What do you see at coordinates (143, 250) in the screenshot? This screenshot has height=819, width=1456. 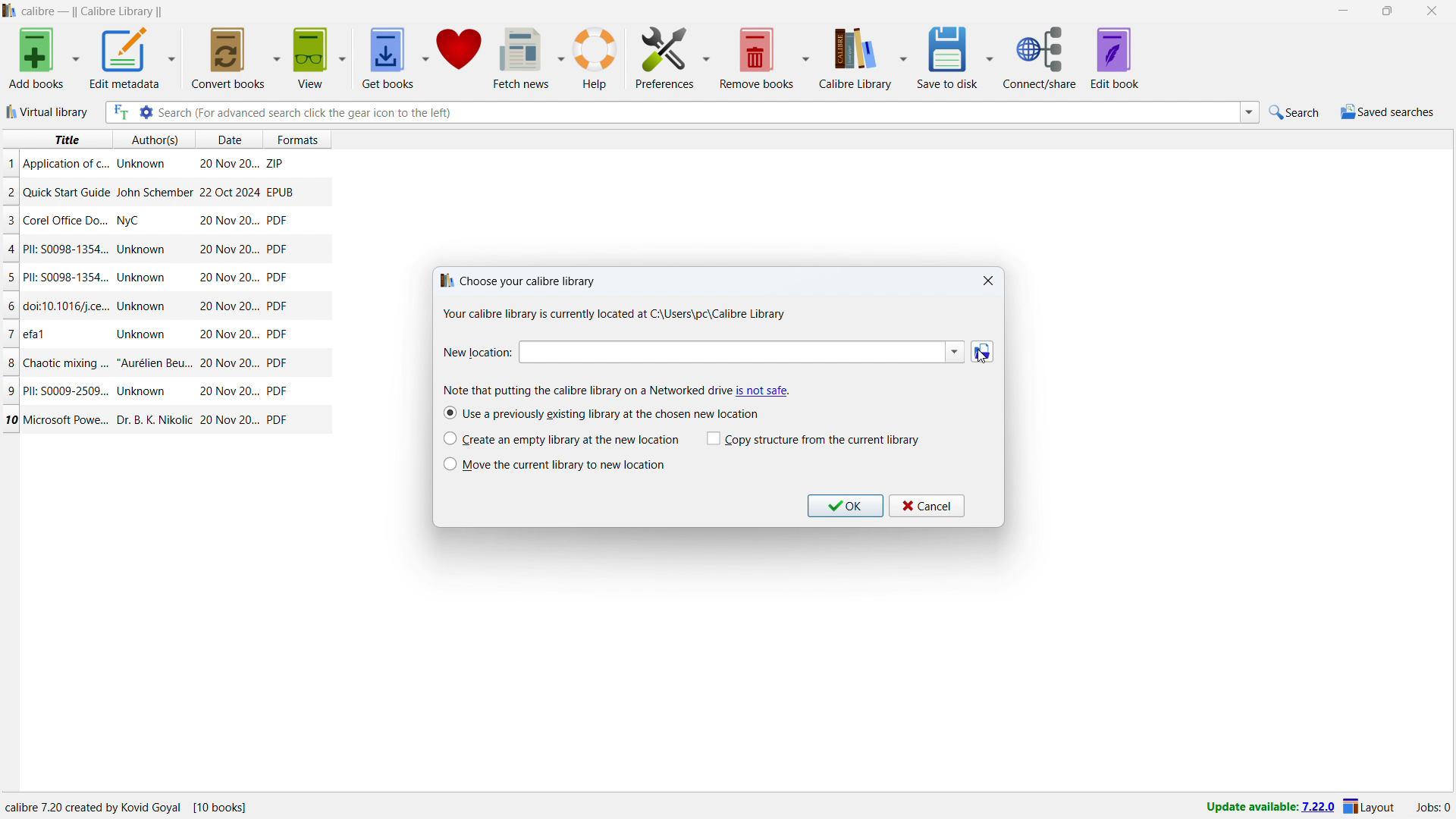 I see `Author` at bounding box center [143, 250].